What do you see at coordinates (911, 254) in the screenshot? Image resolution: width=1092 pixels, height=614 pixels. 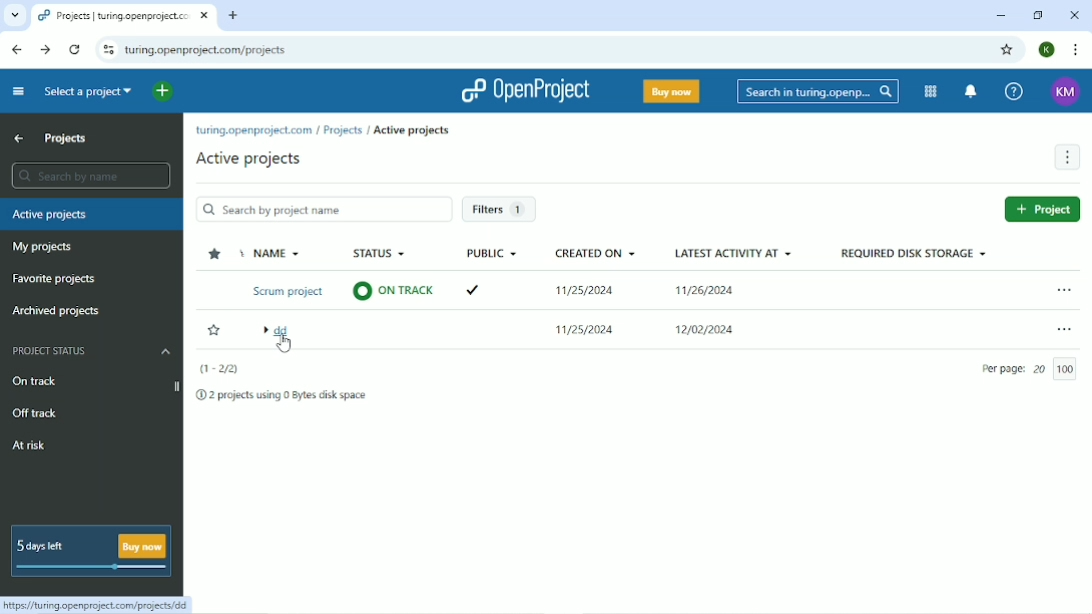 I see `Required disk storage` at bounding box center [911, 254].